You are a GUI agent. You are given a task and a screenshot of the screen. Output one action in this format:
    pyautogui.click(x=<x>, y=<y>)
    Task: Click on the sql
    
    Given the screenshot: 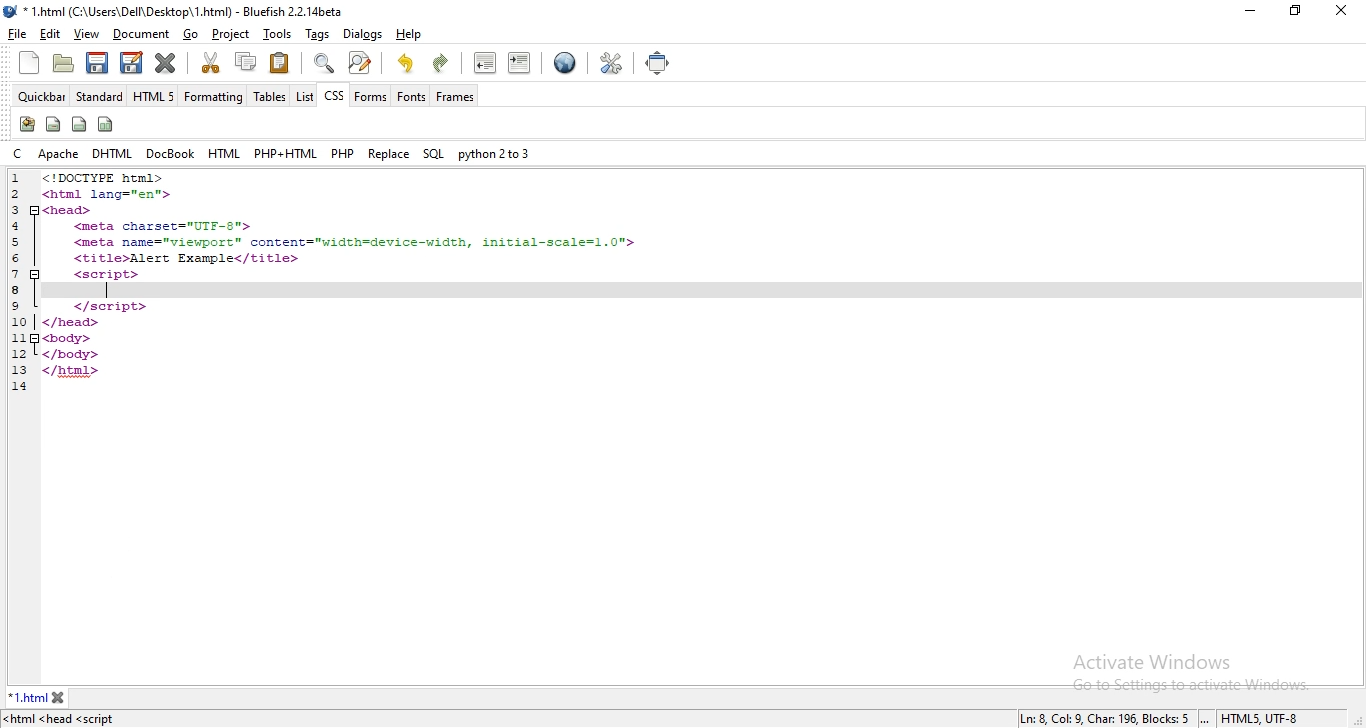 What is the action you would take?
    pyautogui.click(x=433, y=154)
    